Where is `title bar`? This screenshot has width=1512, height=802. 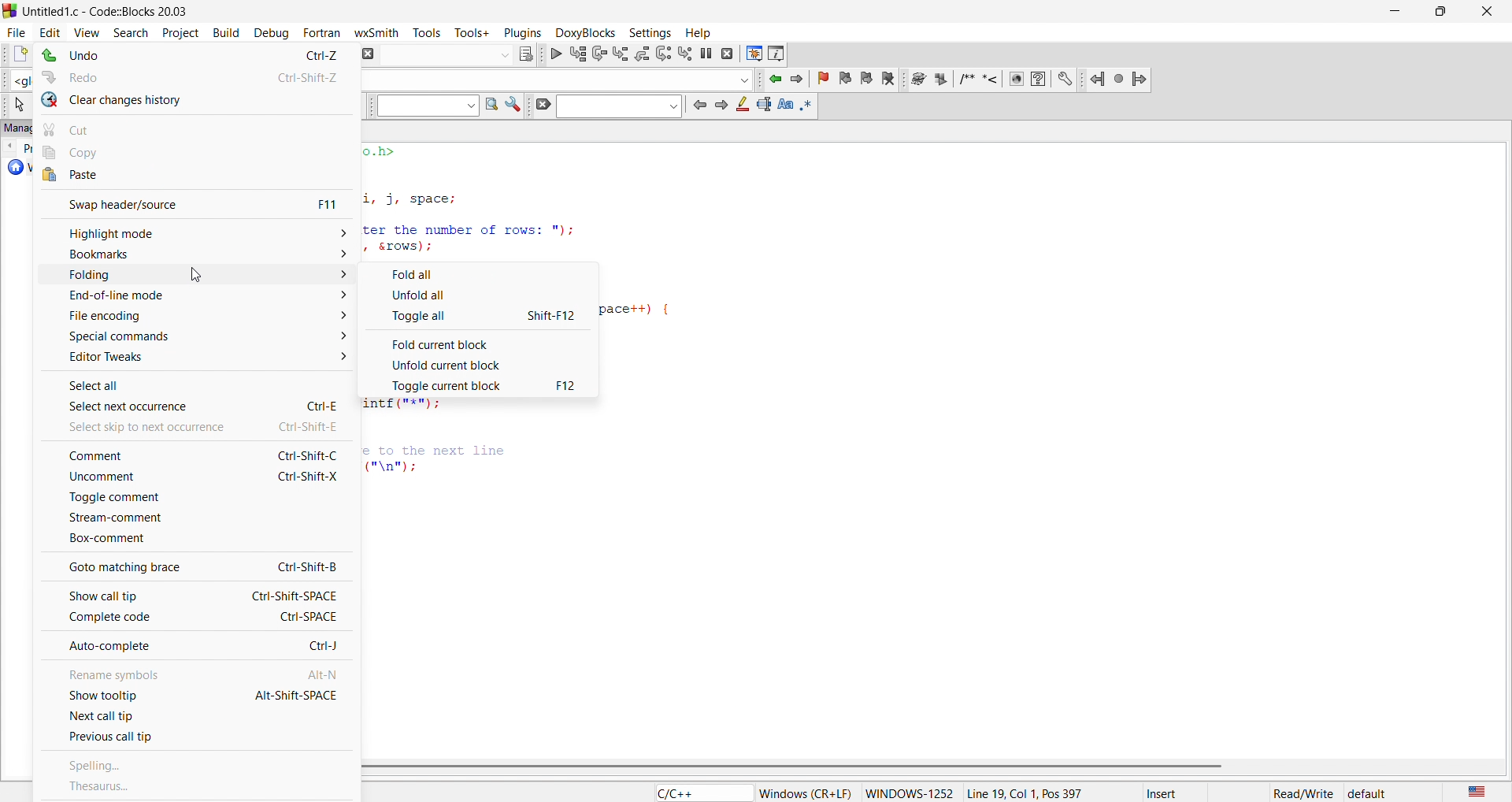 title bar is located at coordinates (108, 9).